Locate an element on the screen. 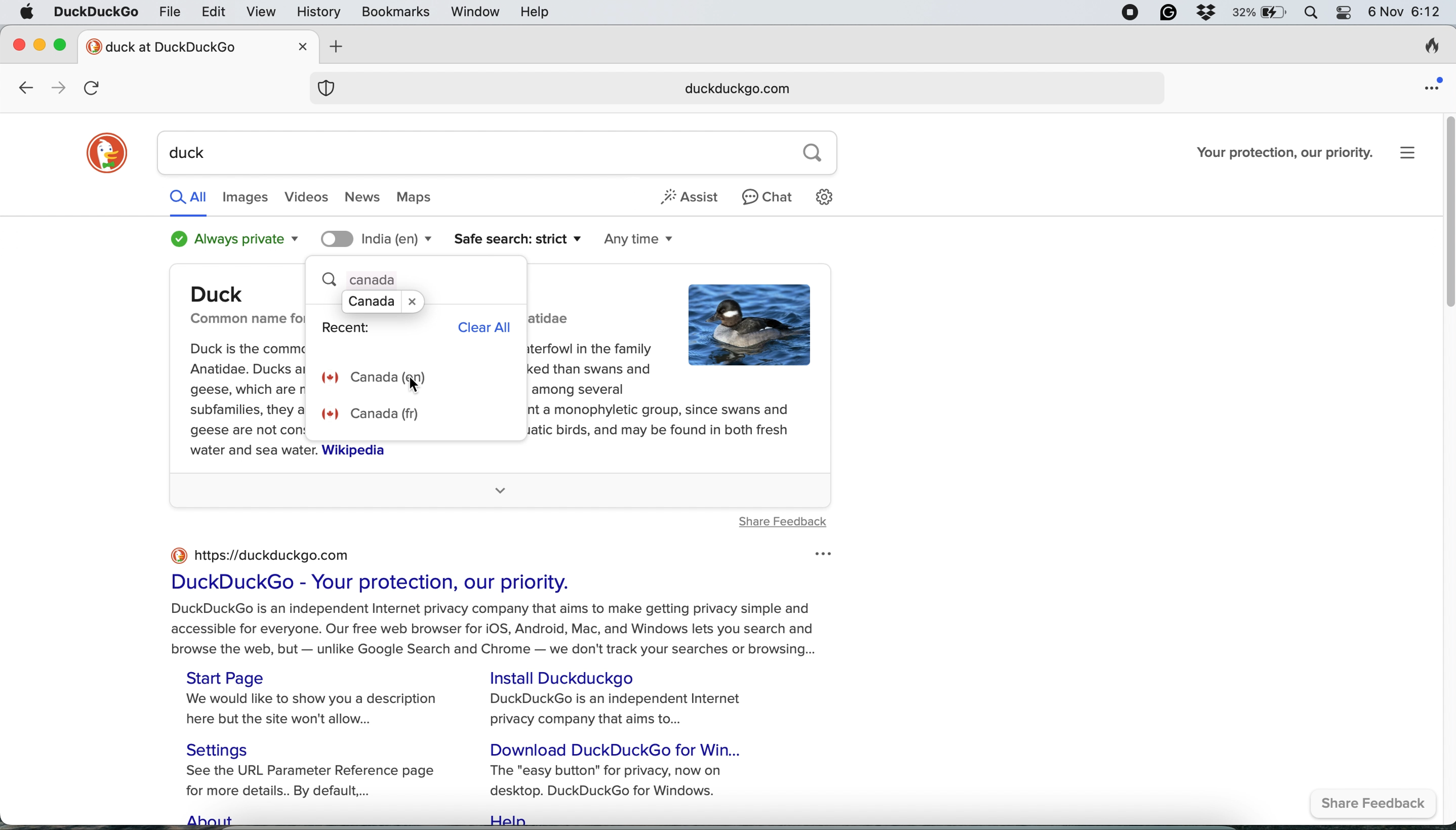 This screenshot has width=1456, height=830. screen recorder is located at coordinates (1130, 13).